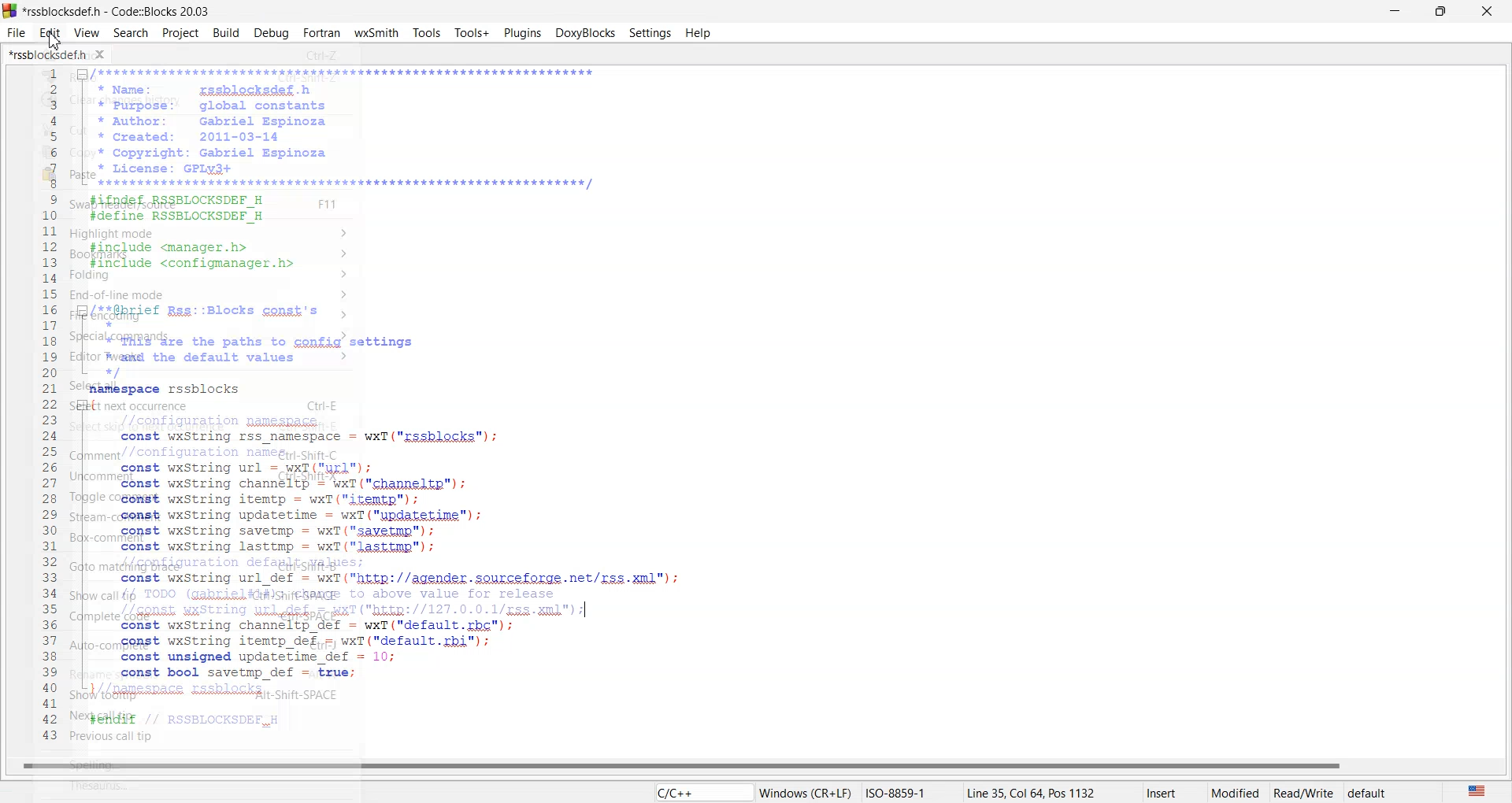 Image resolution: width=1512 pixels, height=803 pixels. I want to click on File, so click(17, 32).